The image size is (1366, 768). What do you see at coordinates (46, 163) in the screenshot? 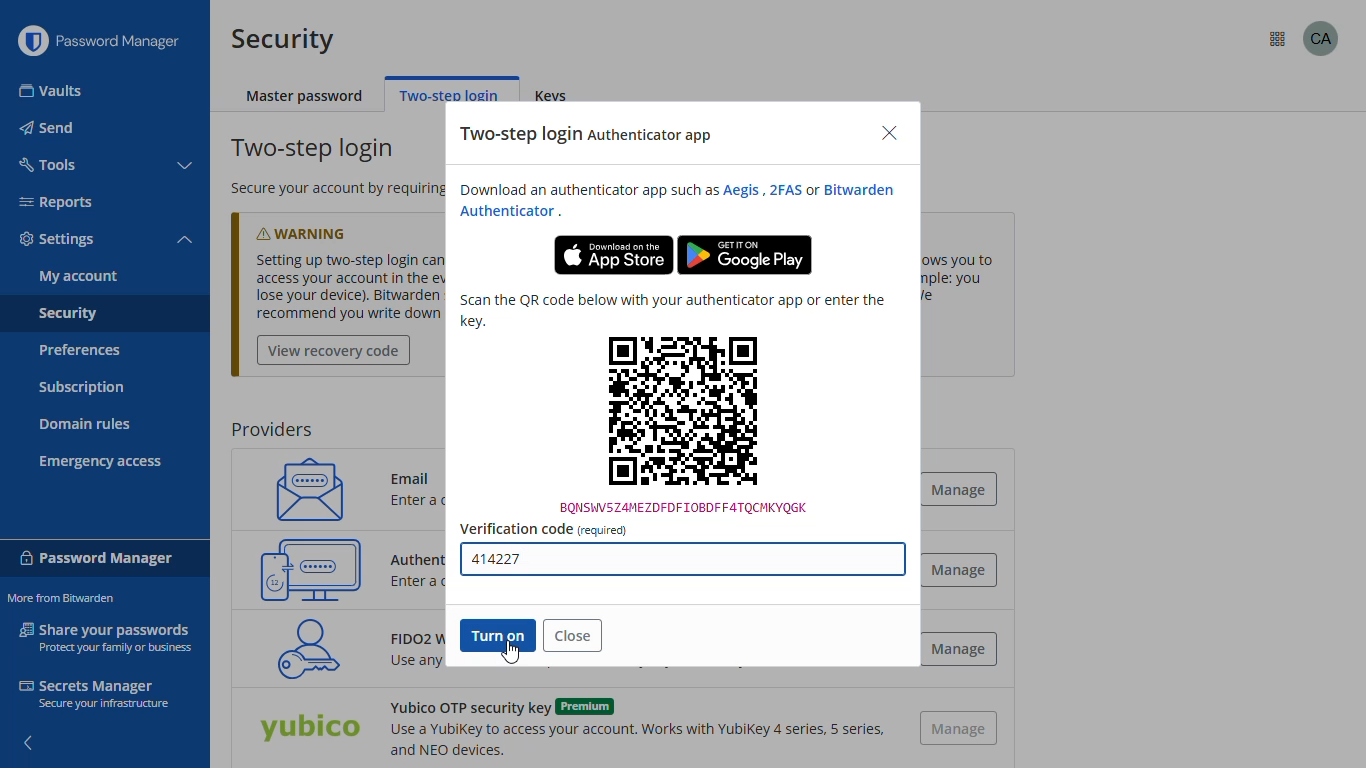
I see `tools` at bounding box center [46, 163].